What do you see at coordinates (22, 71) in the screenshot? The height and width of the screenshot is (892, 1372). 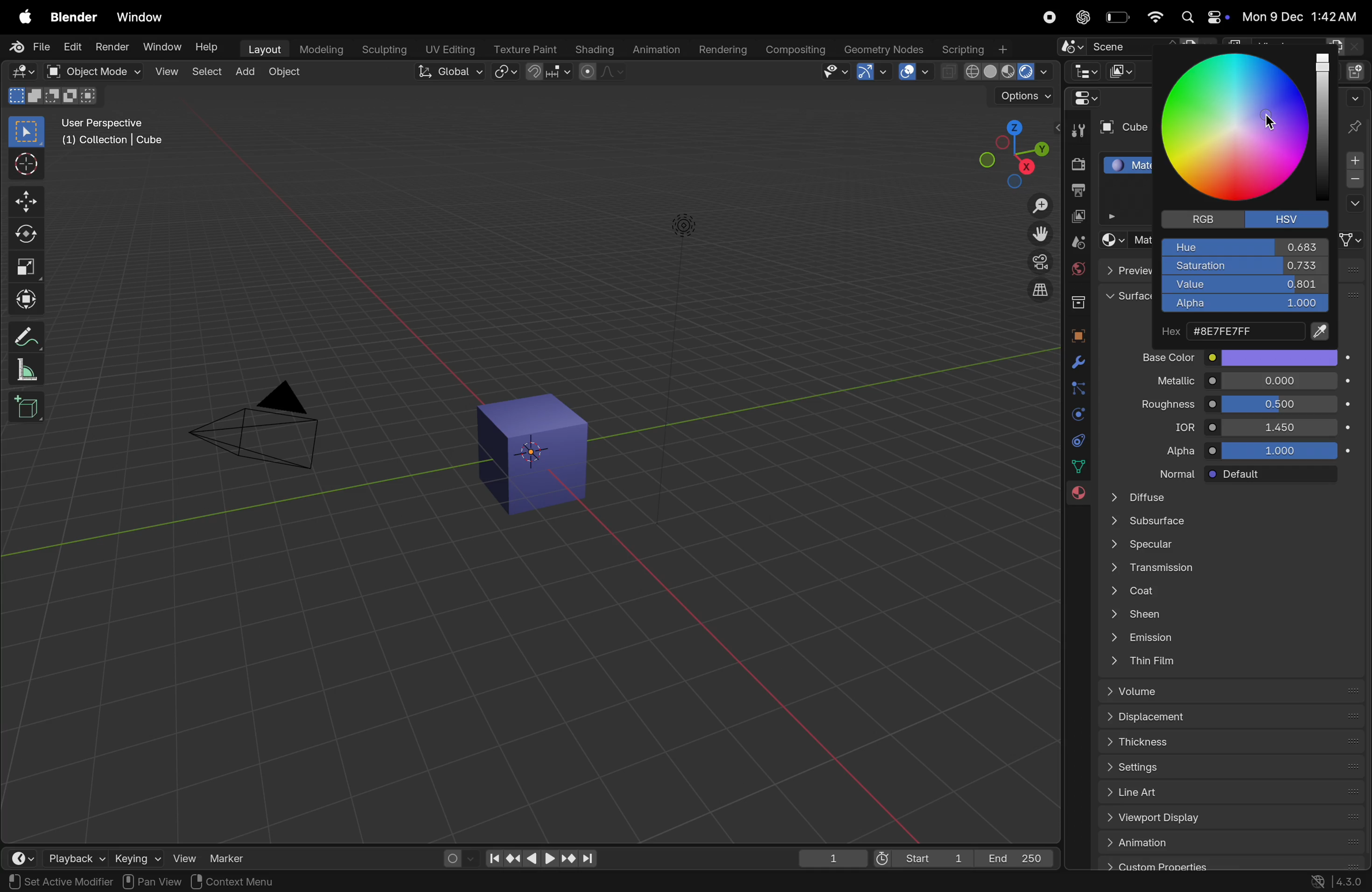 I see `editor type` at bounding box center [22, 71].